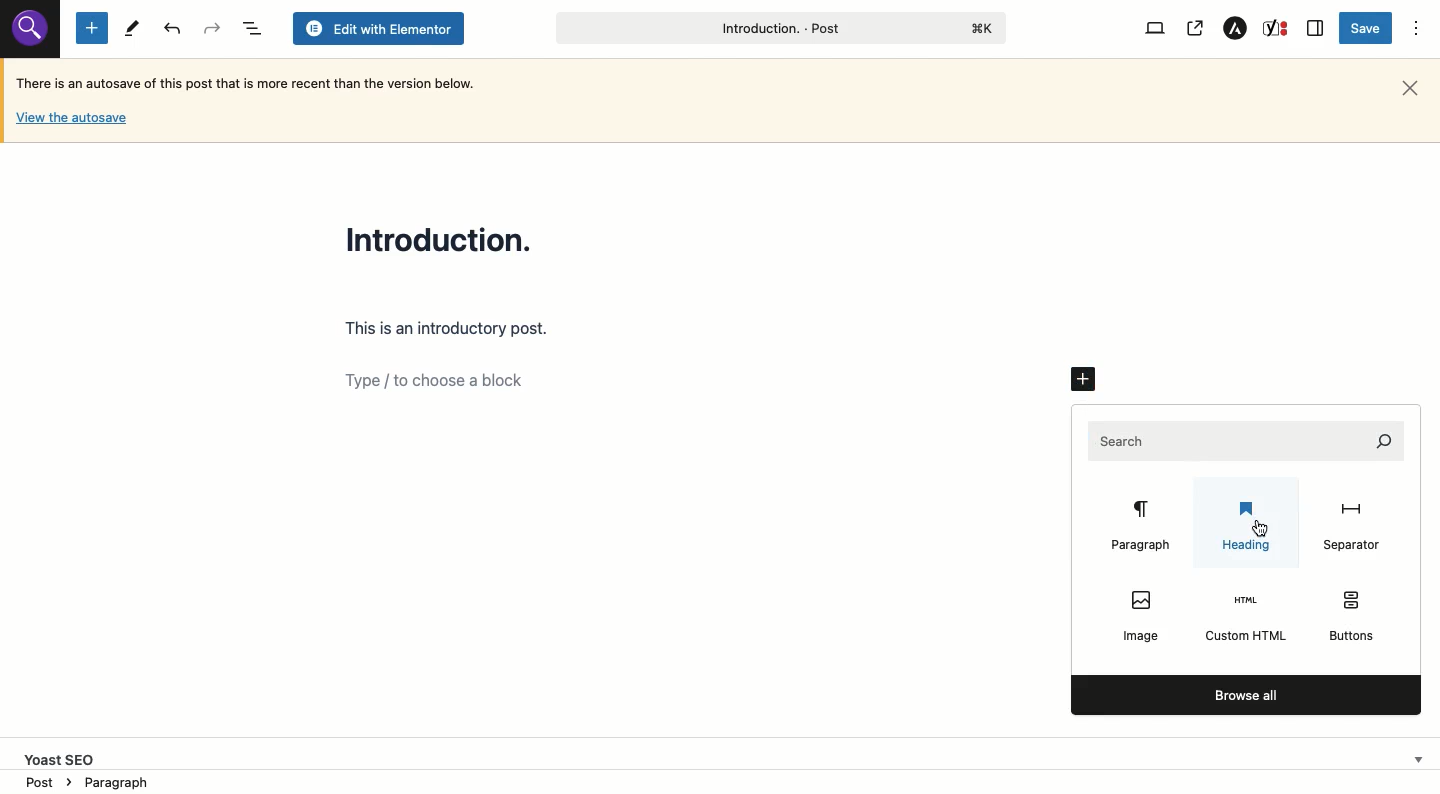 The height and width of the screenshot is (794, 1440). I want to click on Browse all, so click(1244, 694).